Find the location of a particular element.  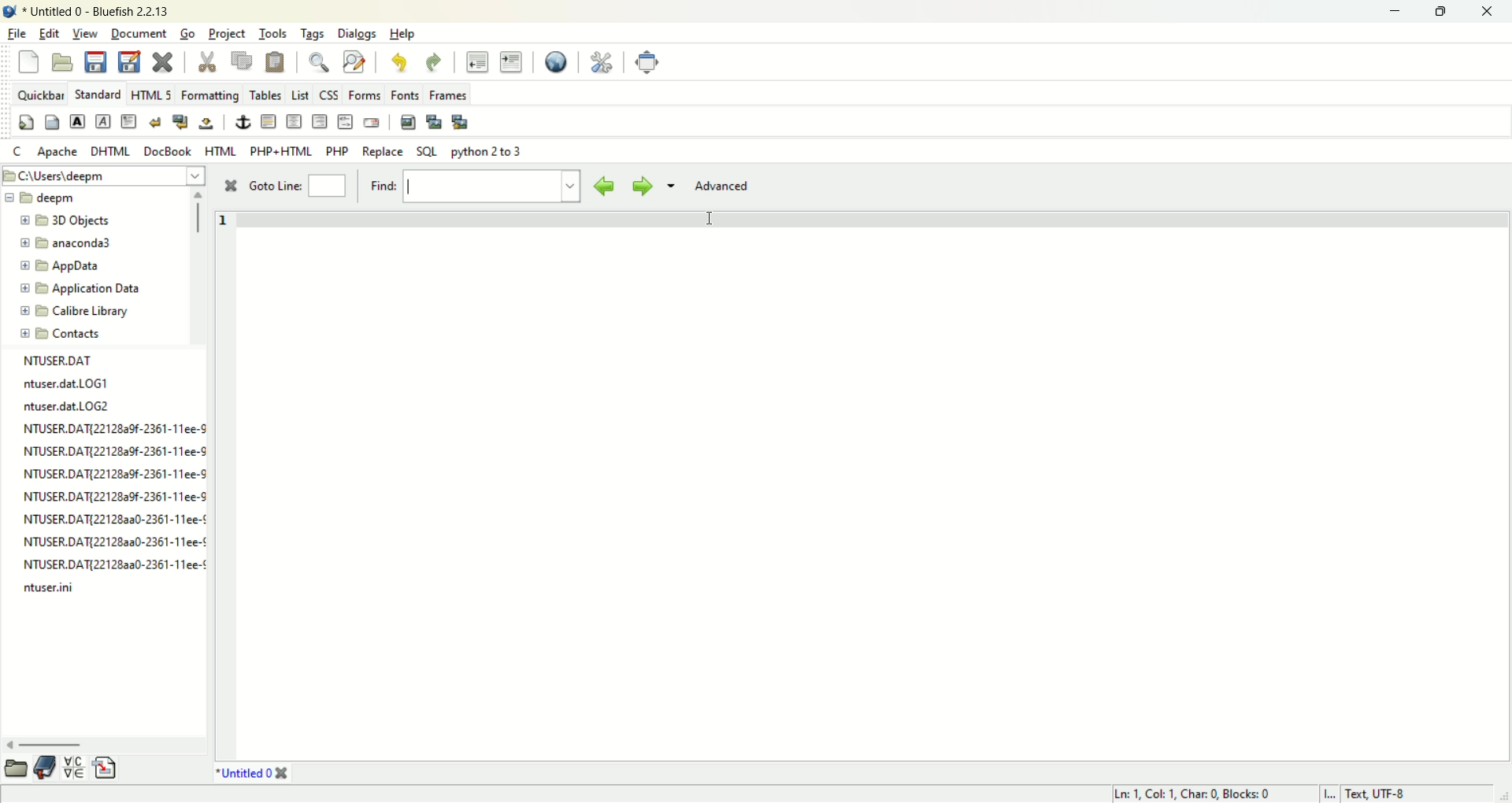

save current file is located at coordinates (96, 61).